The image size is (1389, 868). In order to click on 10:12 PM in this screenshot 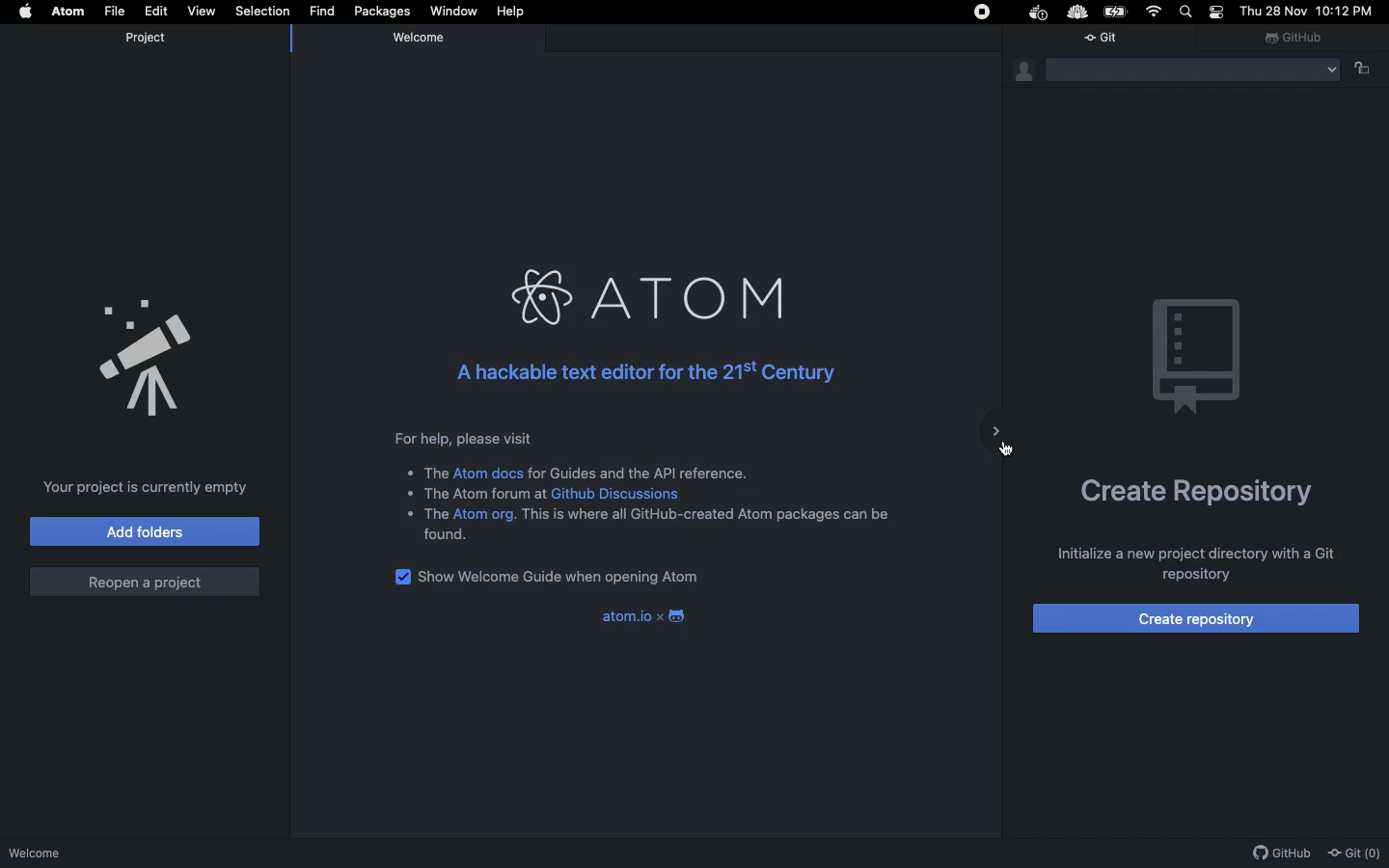, I will do `click(1345, 11)`.